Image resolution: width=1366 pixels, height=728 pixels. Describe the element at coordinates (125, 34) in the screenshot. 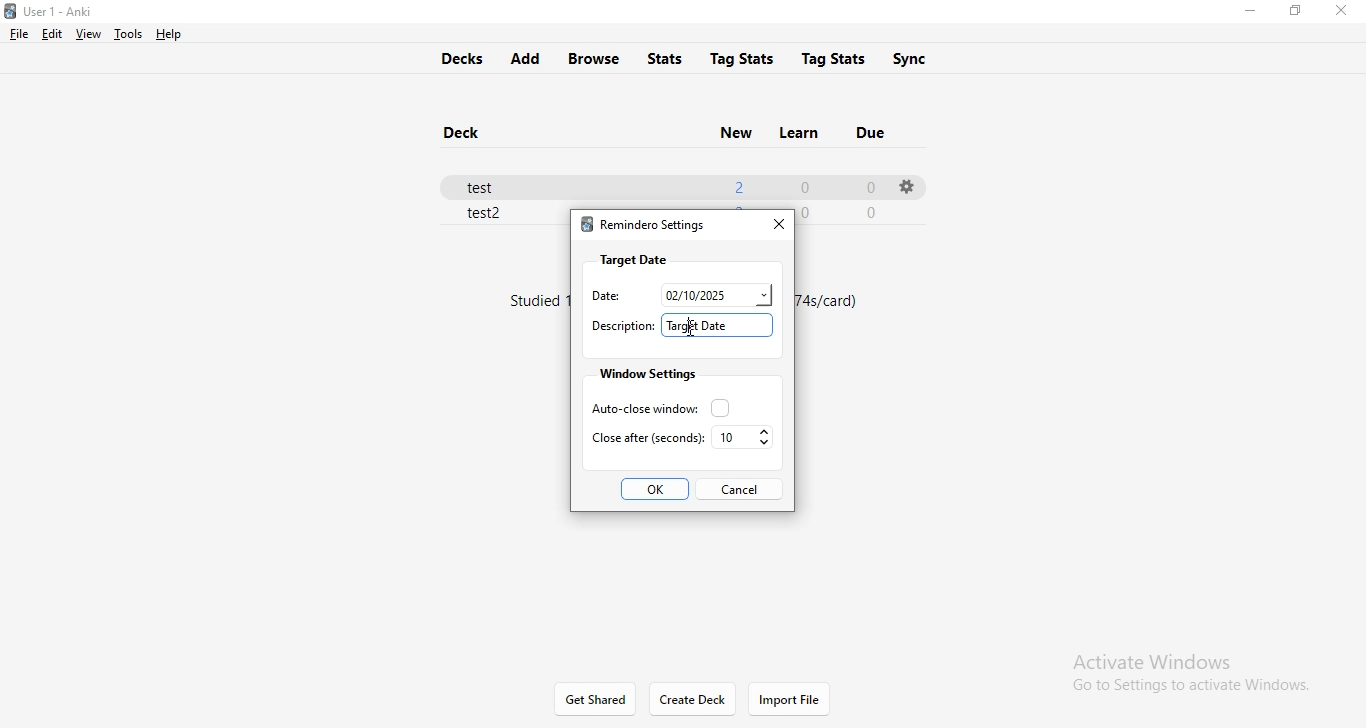

I see `tools` at that location.